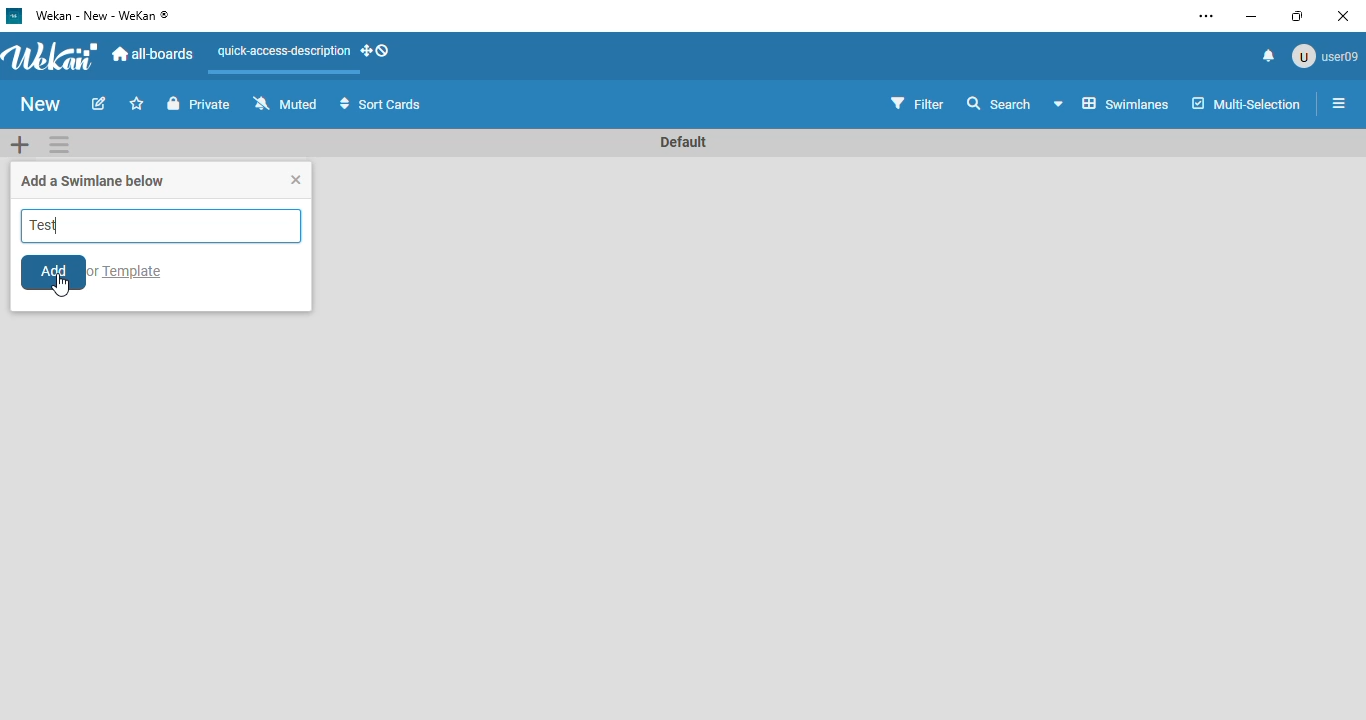 The height and width of the screenshot is (720, 1366). I want to click on Template, so click(136, 271).